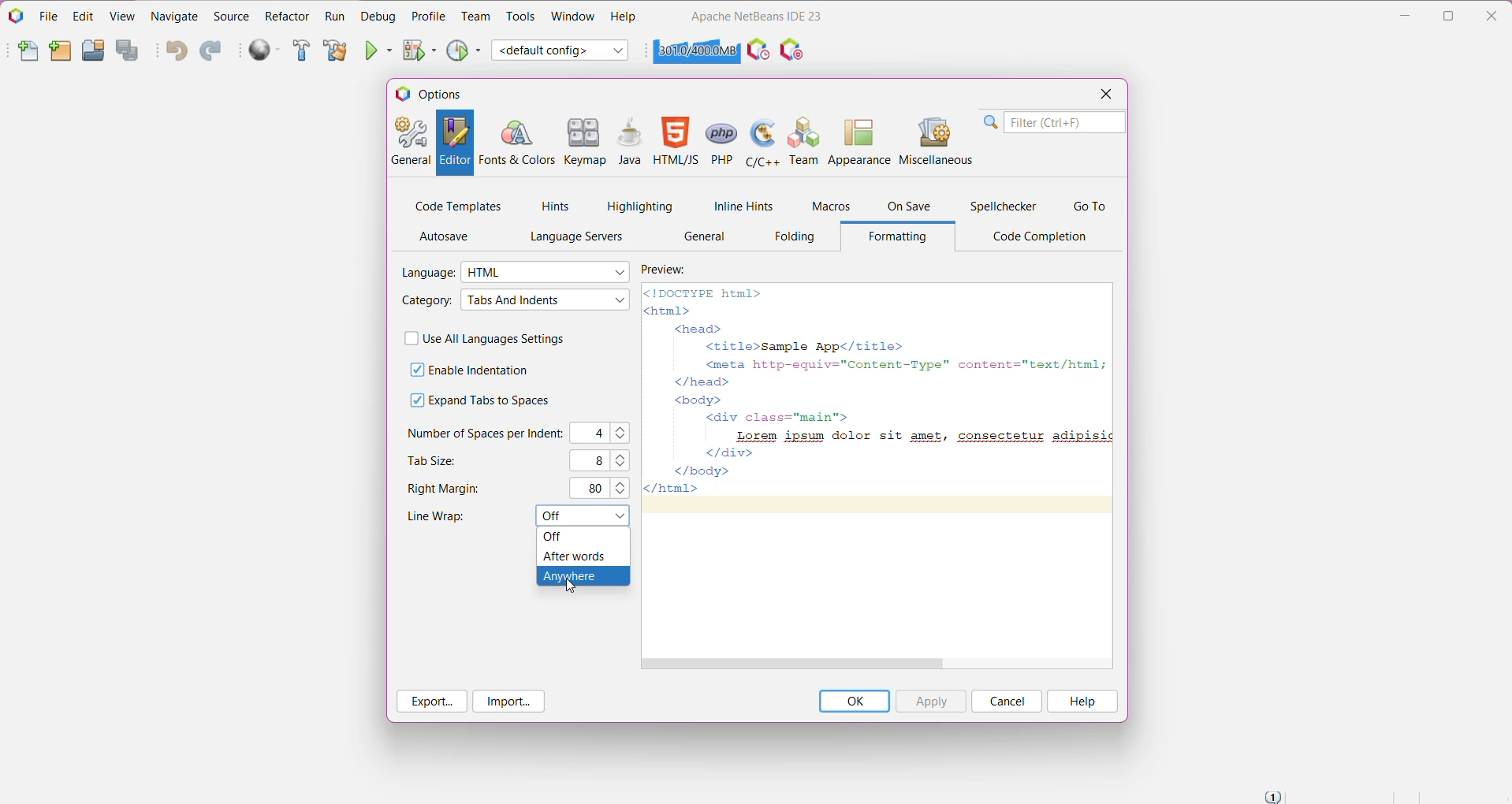  Describe the element at coordinates (287, 16) in the screenshot. I see `Refactor` at that location.